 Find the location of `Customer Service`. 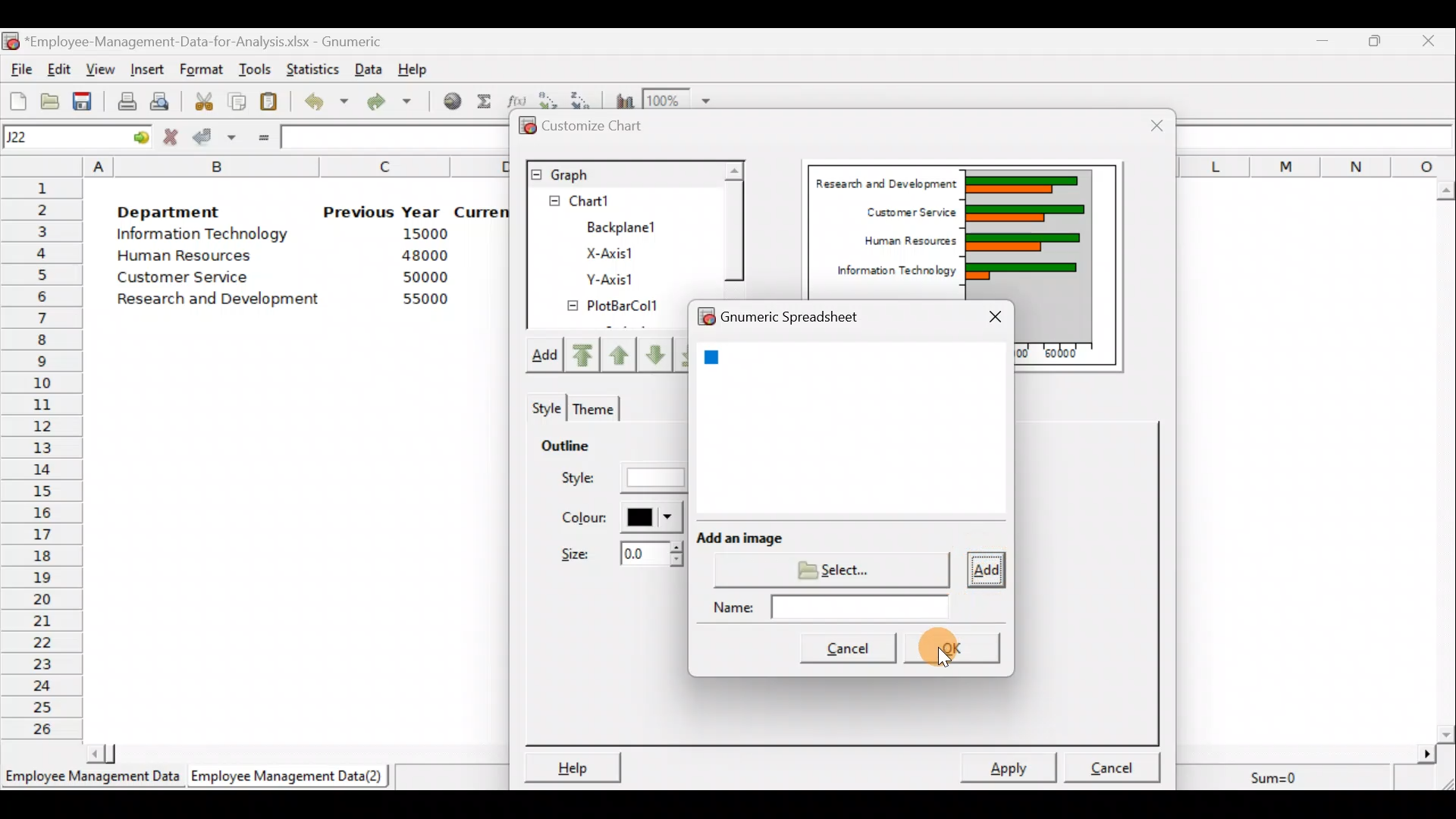

Customer Service is located at coordinates (176, 278).